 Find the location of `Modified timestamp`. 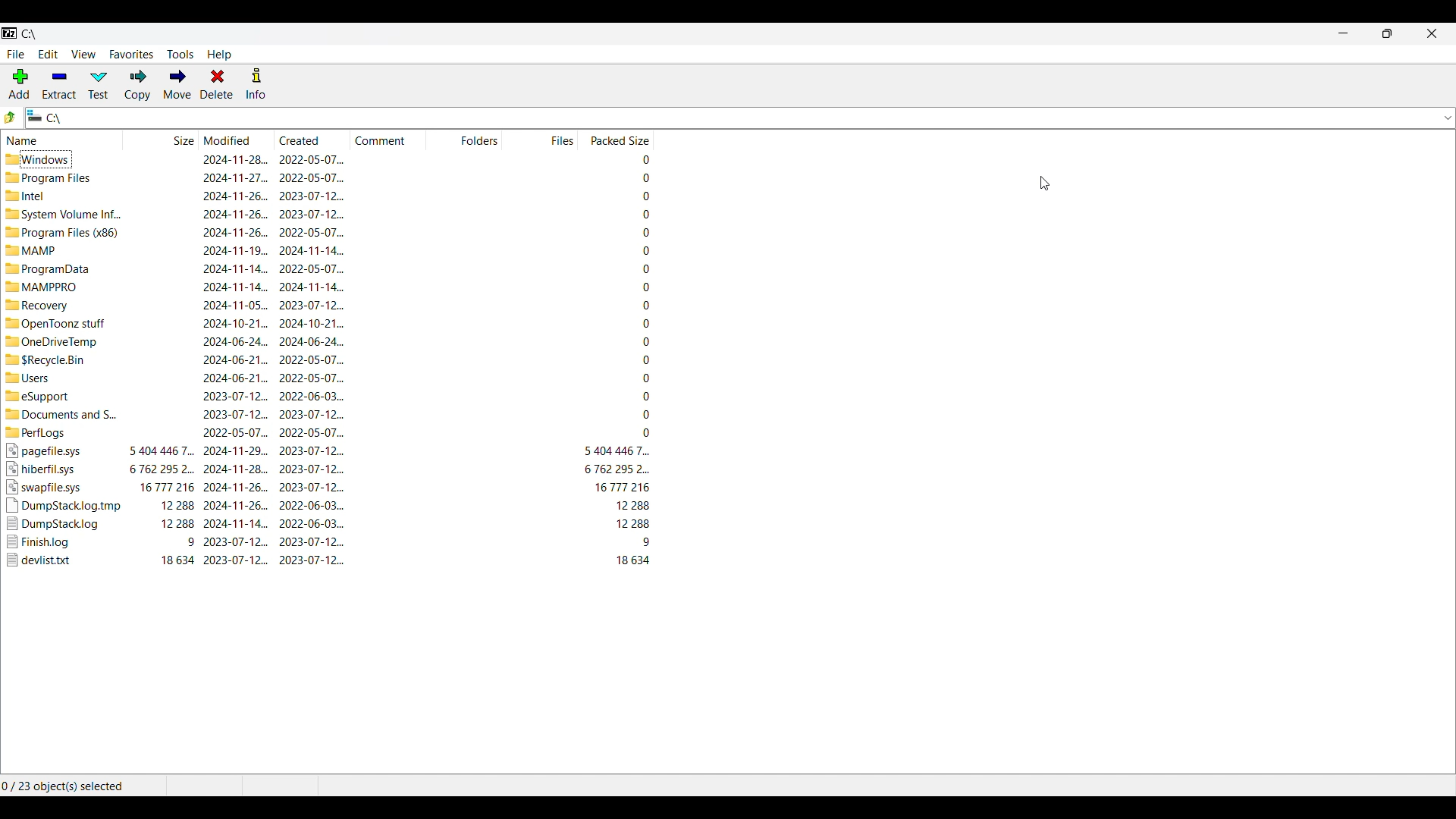

Modified timestamp is located at coordinates (237, 359).